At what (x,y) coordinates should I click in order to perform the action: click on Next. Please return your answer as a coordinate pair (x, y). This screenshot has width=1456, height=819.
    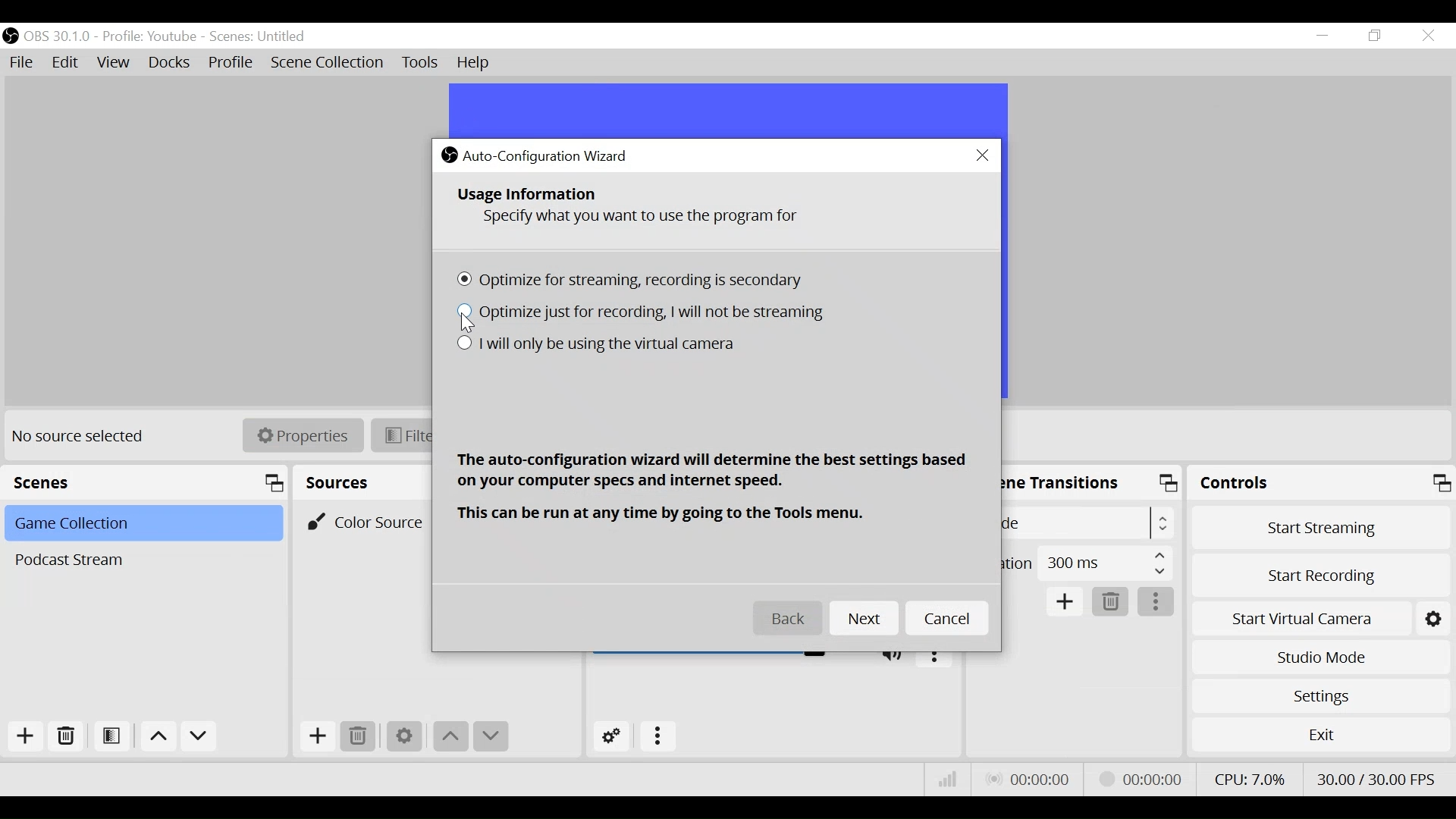
    Looking at the image, I should click on (866, 619).